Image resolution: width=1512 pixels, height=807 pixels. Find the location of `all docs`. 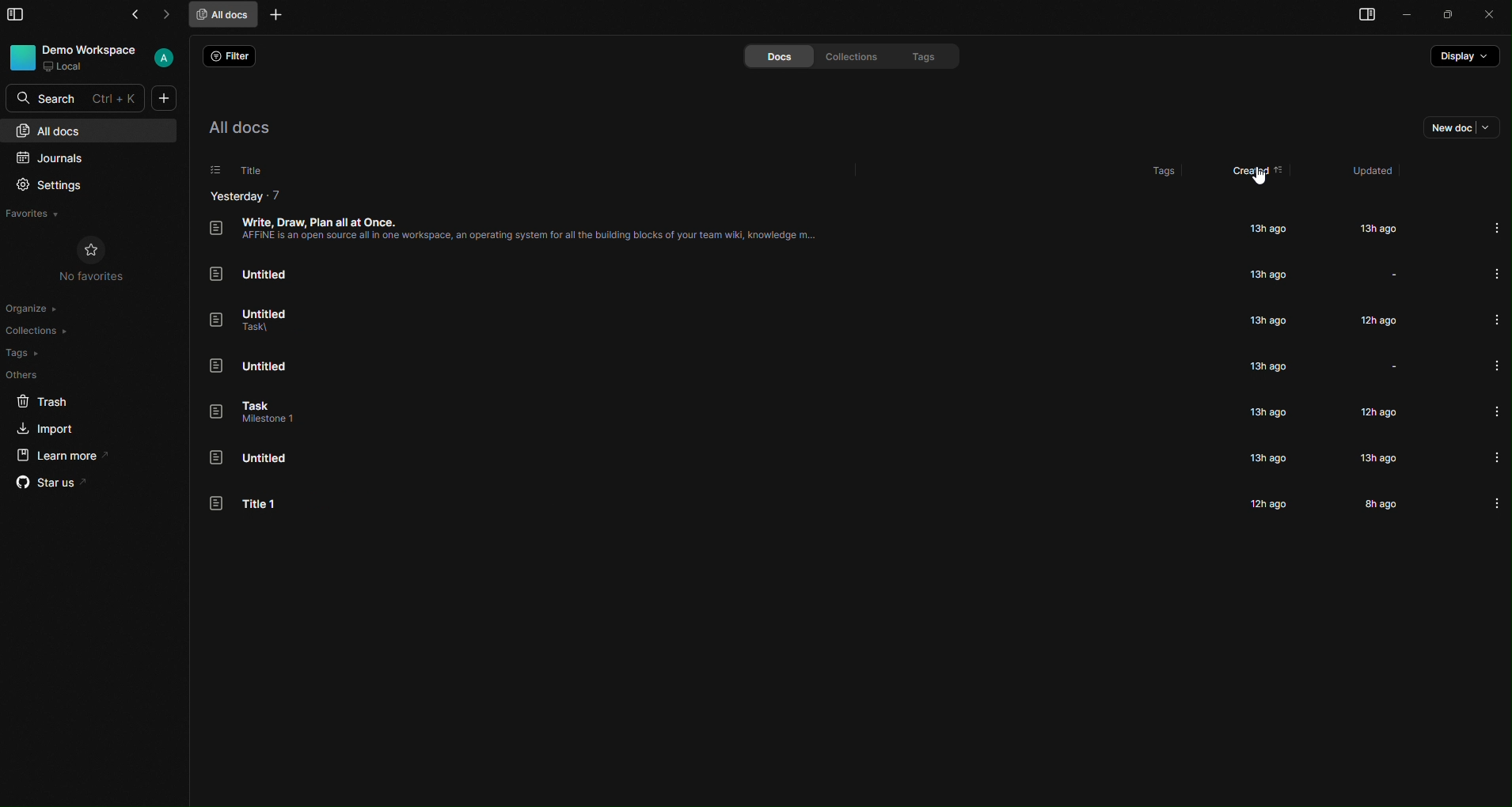

all docs is located at coordinates (223, 16).